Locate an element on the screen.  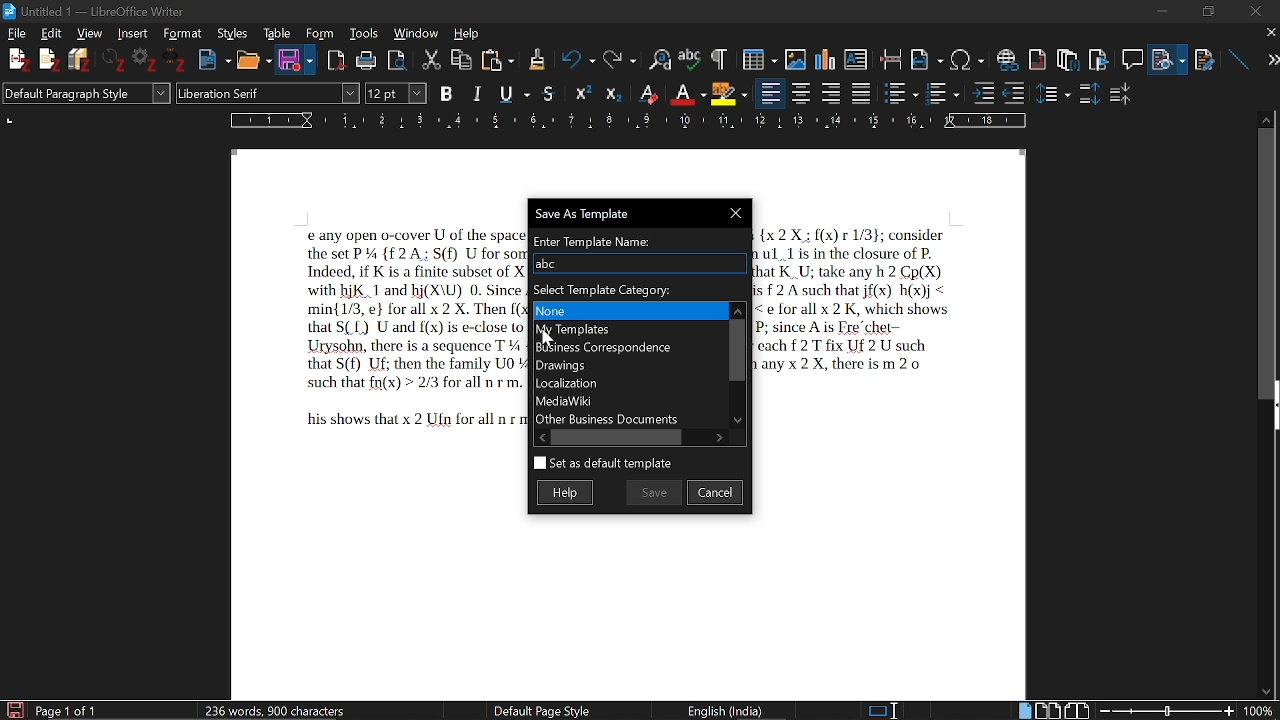
close is located at coordinates (1269, 34).